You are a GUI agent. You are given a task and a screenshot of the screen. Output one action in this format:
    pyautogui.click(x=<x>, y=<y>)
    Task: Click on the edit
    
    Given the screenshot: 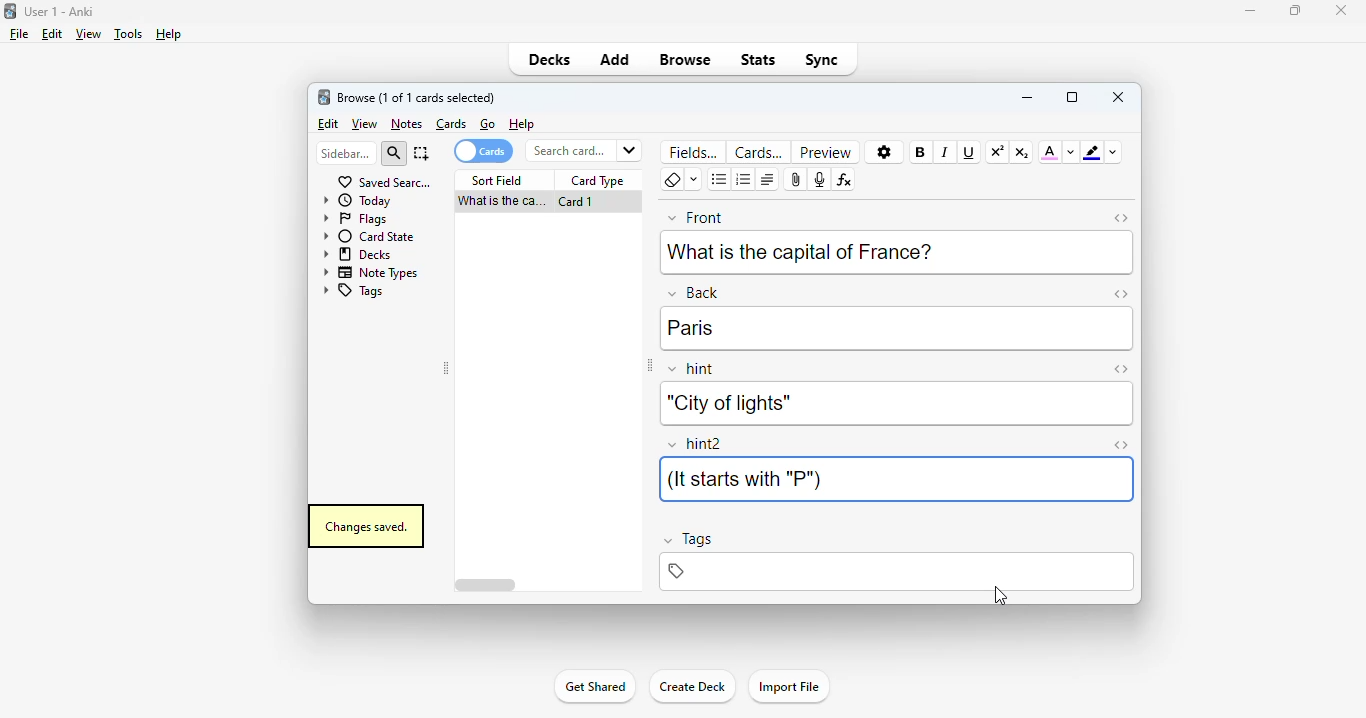 What is the action you would take?
    pyautogui.click(x=329, y=124)
    